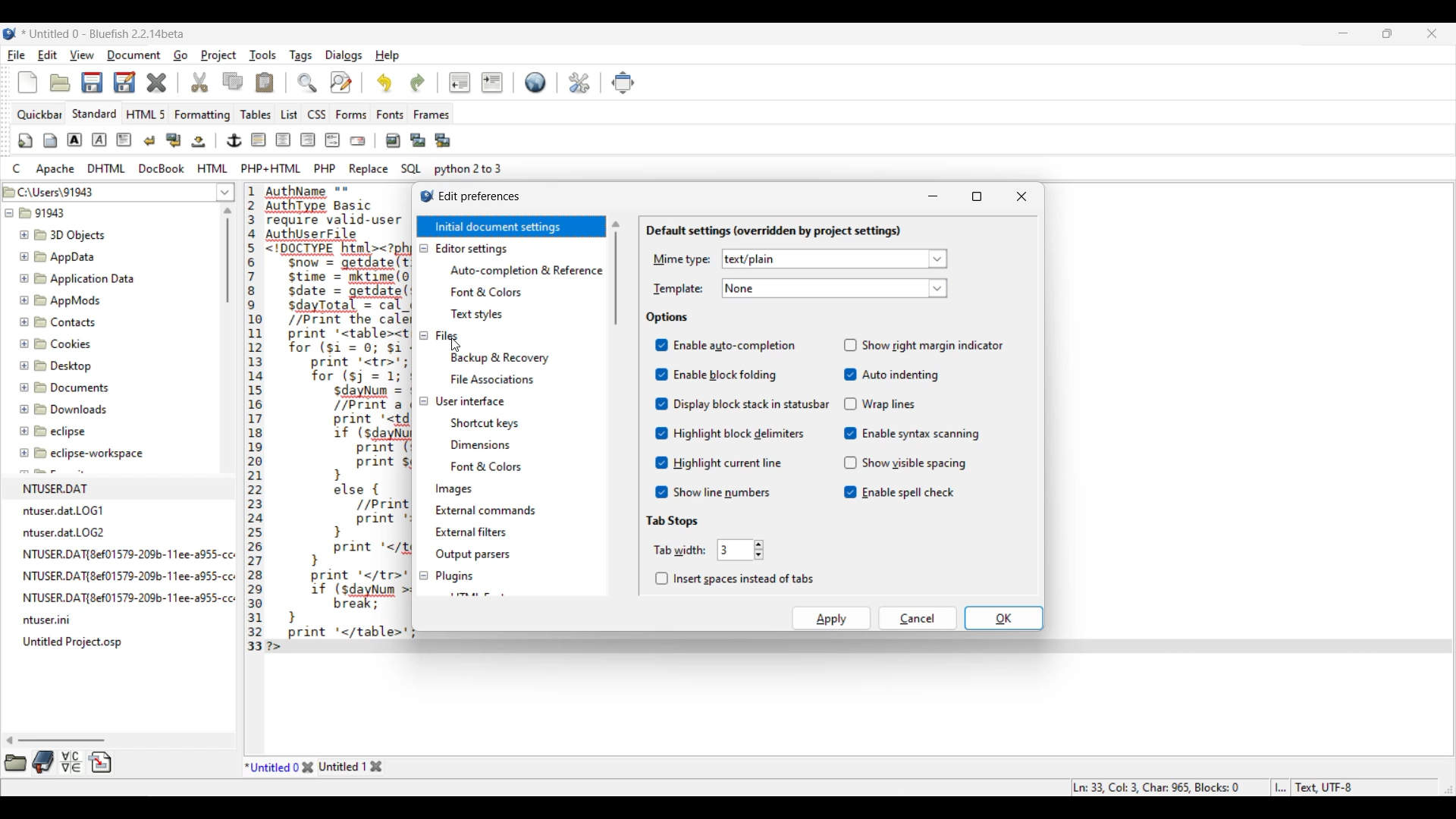  Describe the element at coordinates (454, 343) in the screenshot. I see `cursor` at that location.